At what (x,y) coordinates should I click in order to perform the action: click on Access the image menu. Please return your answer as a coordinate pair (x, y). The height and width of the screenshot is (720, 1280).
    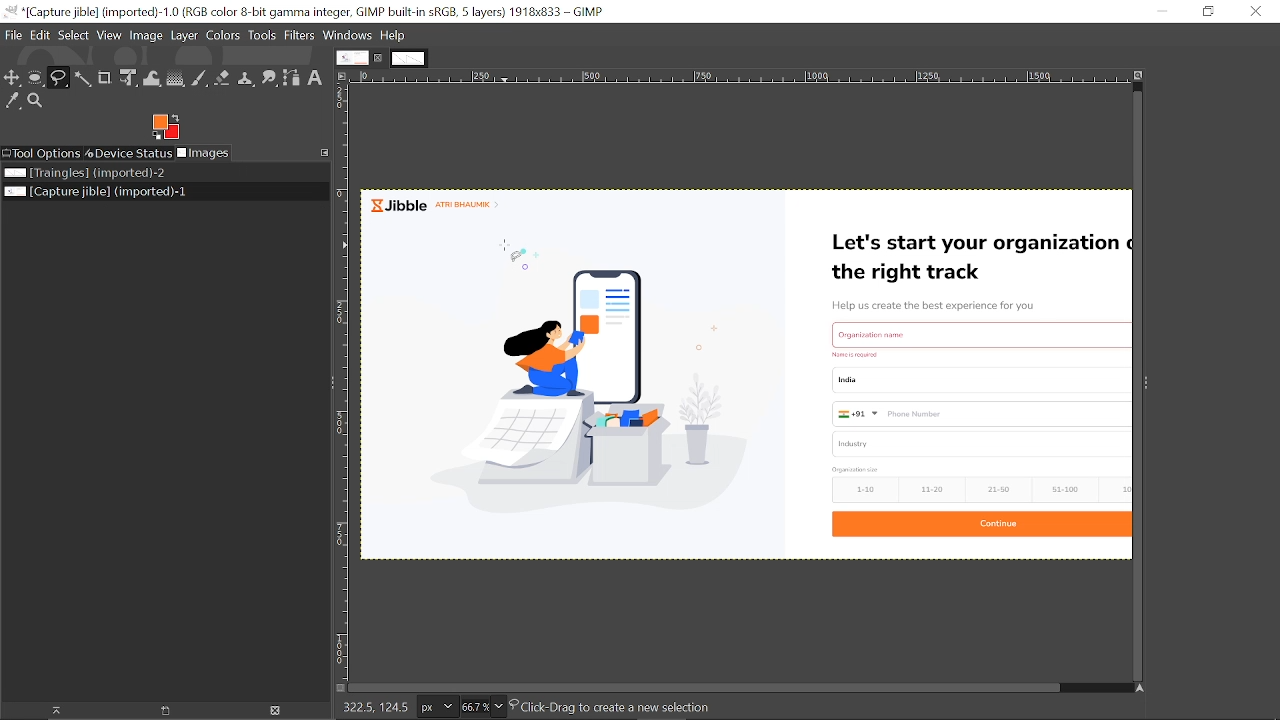
    Looking at the image, I should click on (344, 77).